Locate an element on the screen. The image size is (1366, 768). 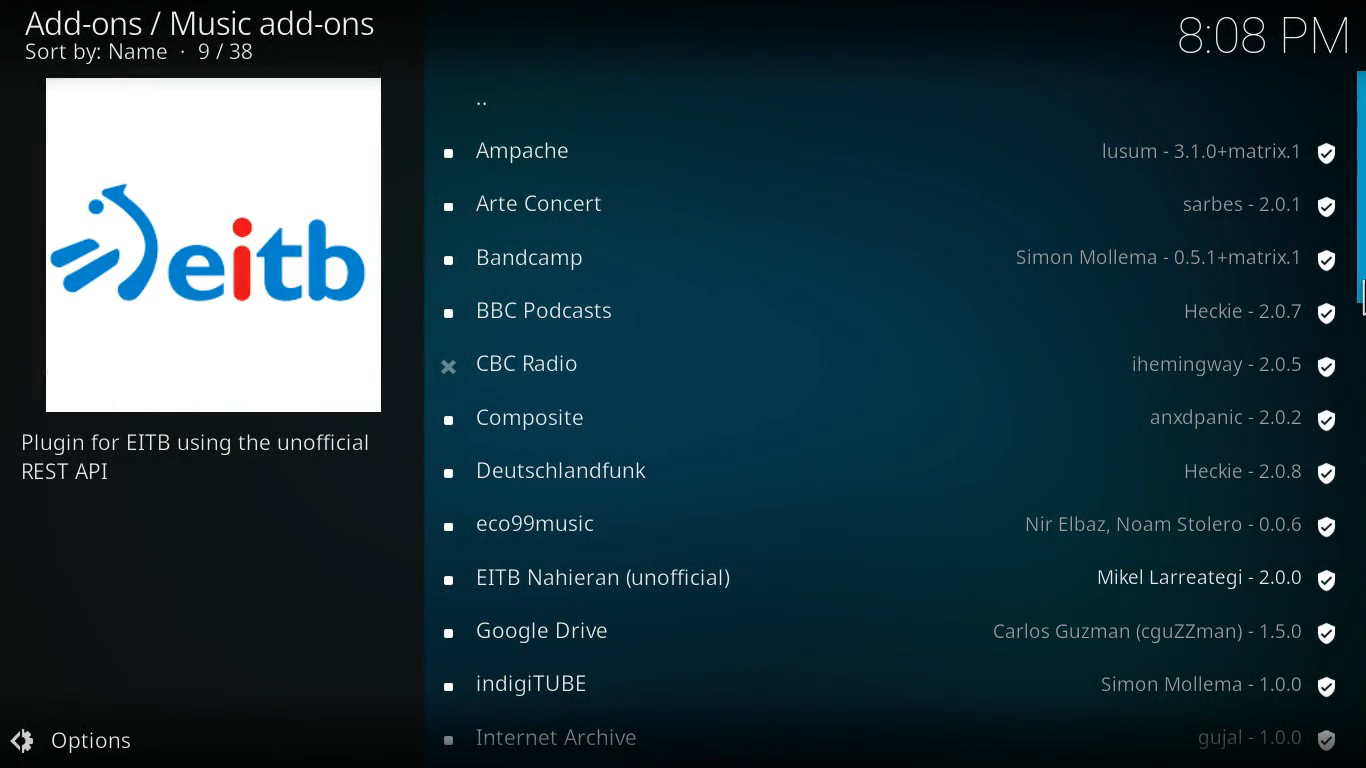
provide is located at coordinates (1181, 524).